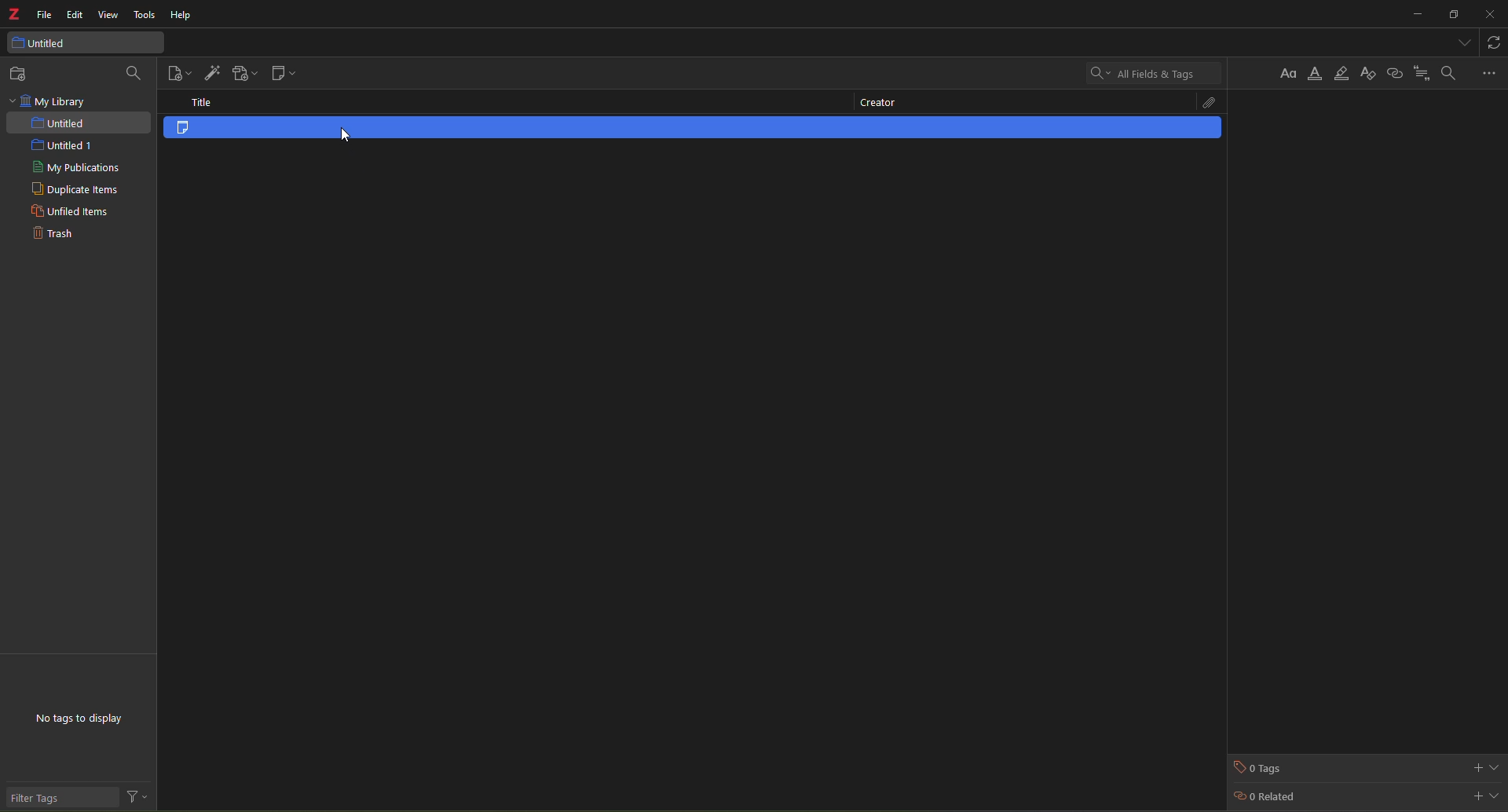  Describe the element at coordinates (1495, 796) in the screenshot. I see `expand` at that location.